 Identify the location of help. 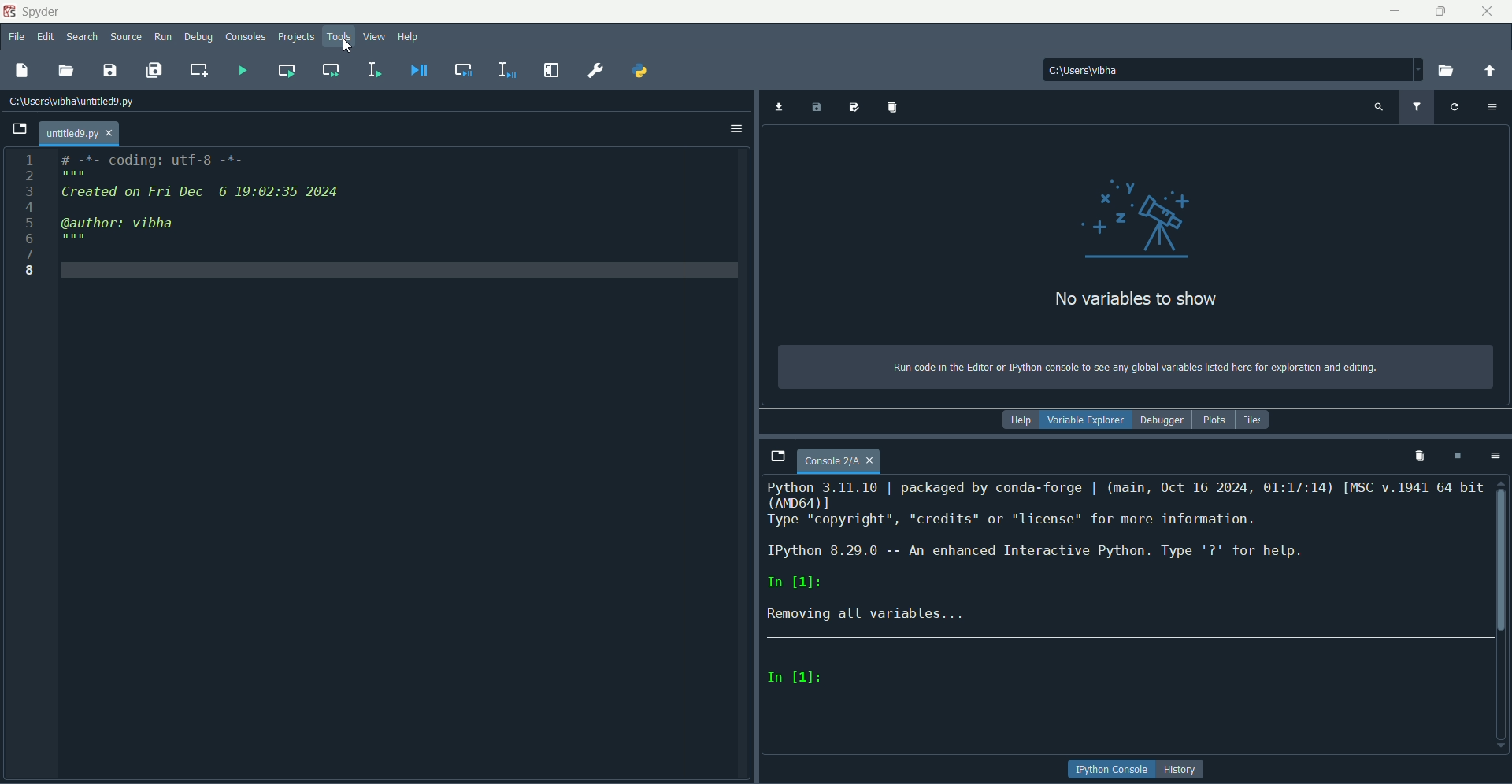
(1019, 420).